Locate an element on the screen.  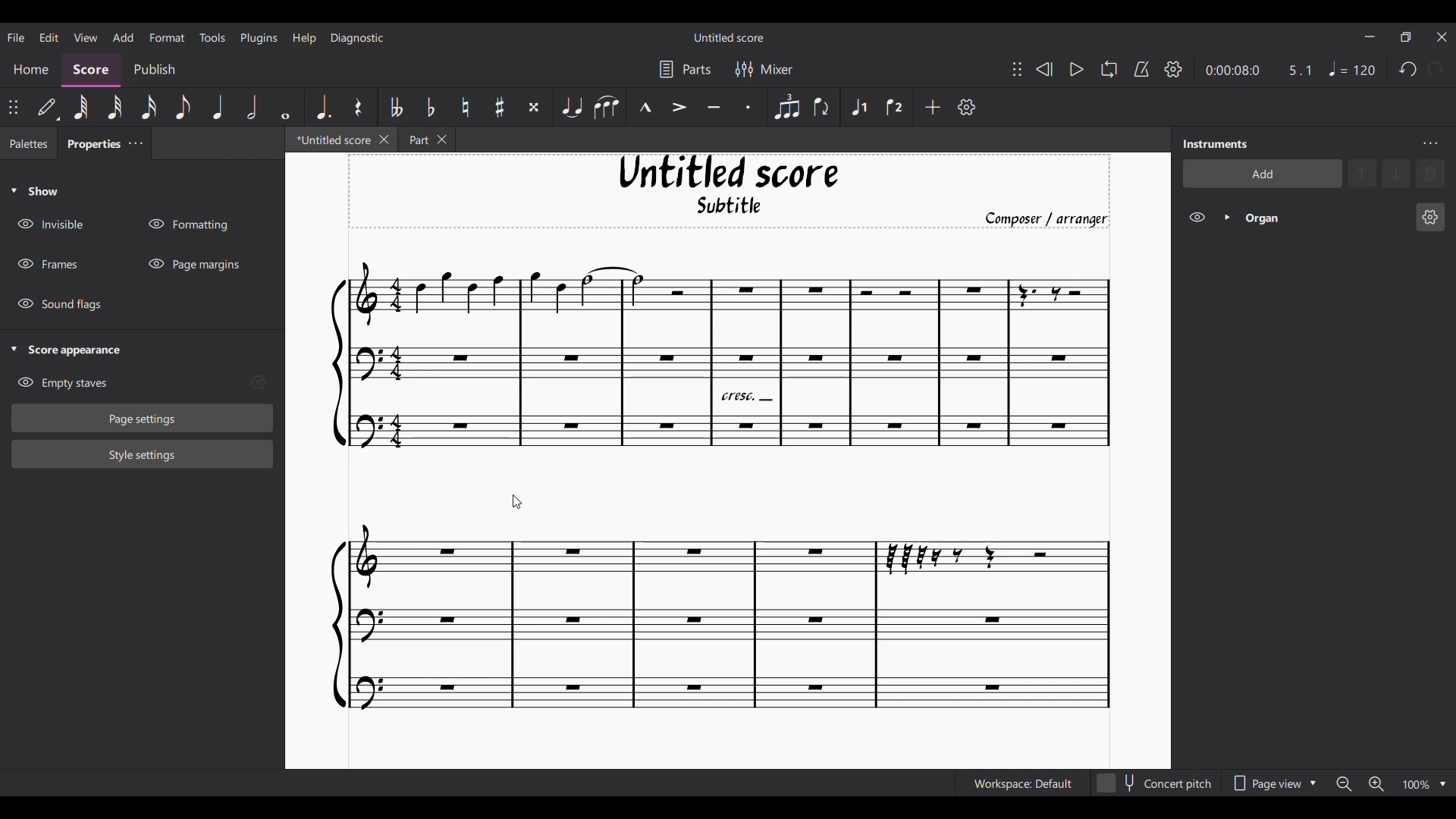
Hide Frames is located at coordinates (48, 264).